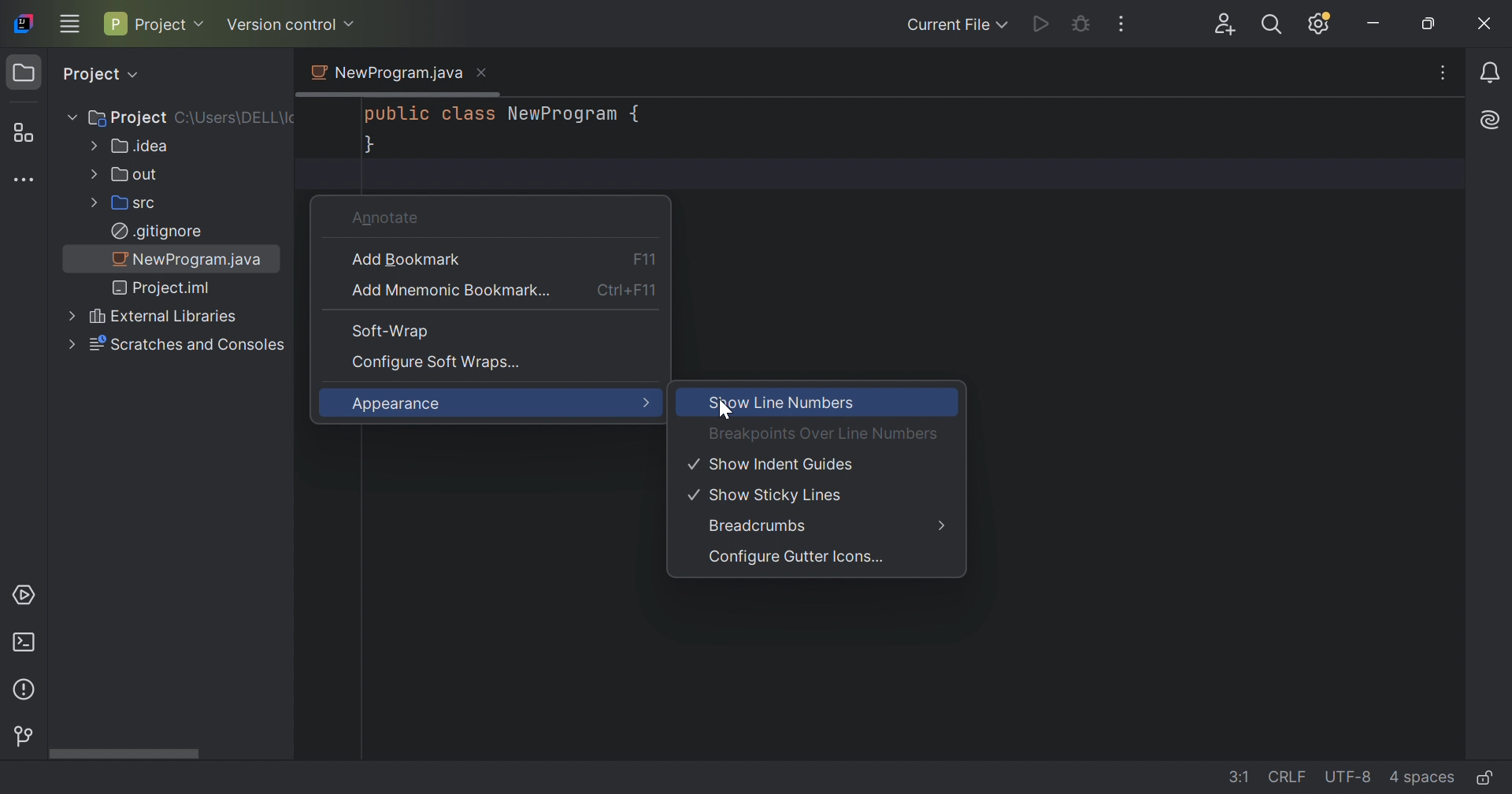 The width and height of the screenshot is (1512, 794). Describe the element at coordinates (644, 404) in the screenshot. I see `More` at that location.